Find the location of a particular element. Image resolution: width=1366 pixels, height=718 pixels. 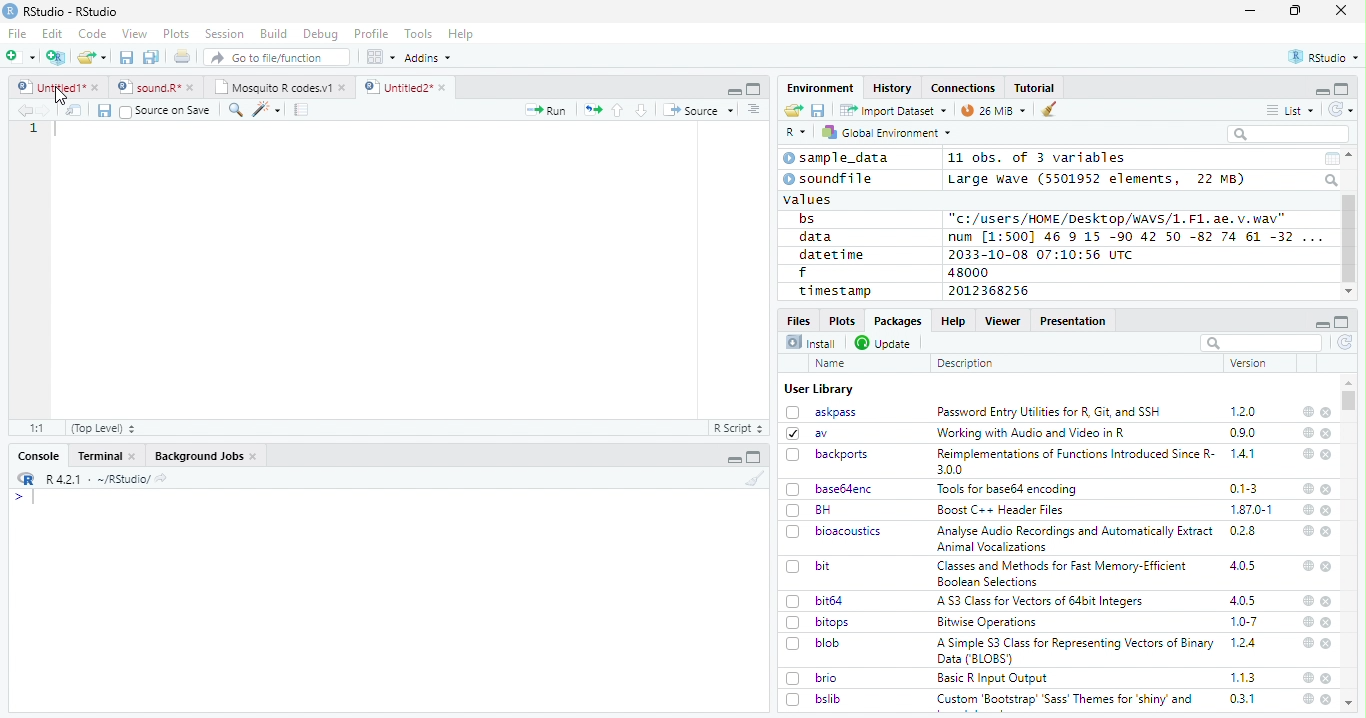

0.9.0 is located at coordinates (1243, 433).